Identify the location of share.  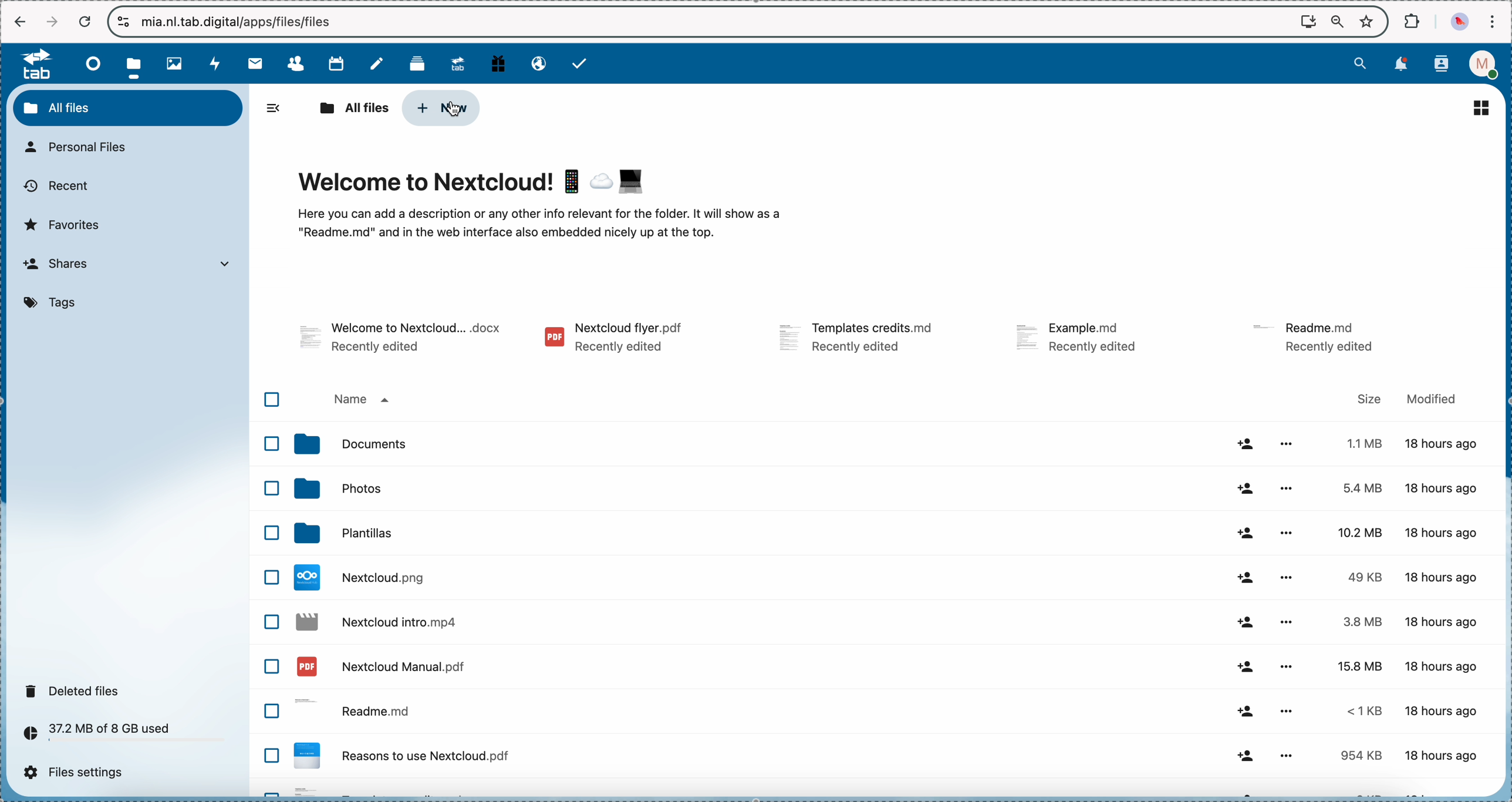
(1247, 579).